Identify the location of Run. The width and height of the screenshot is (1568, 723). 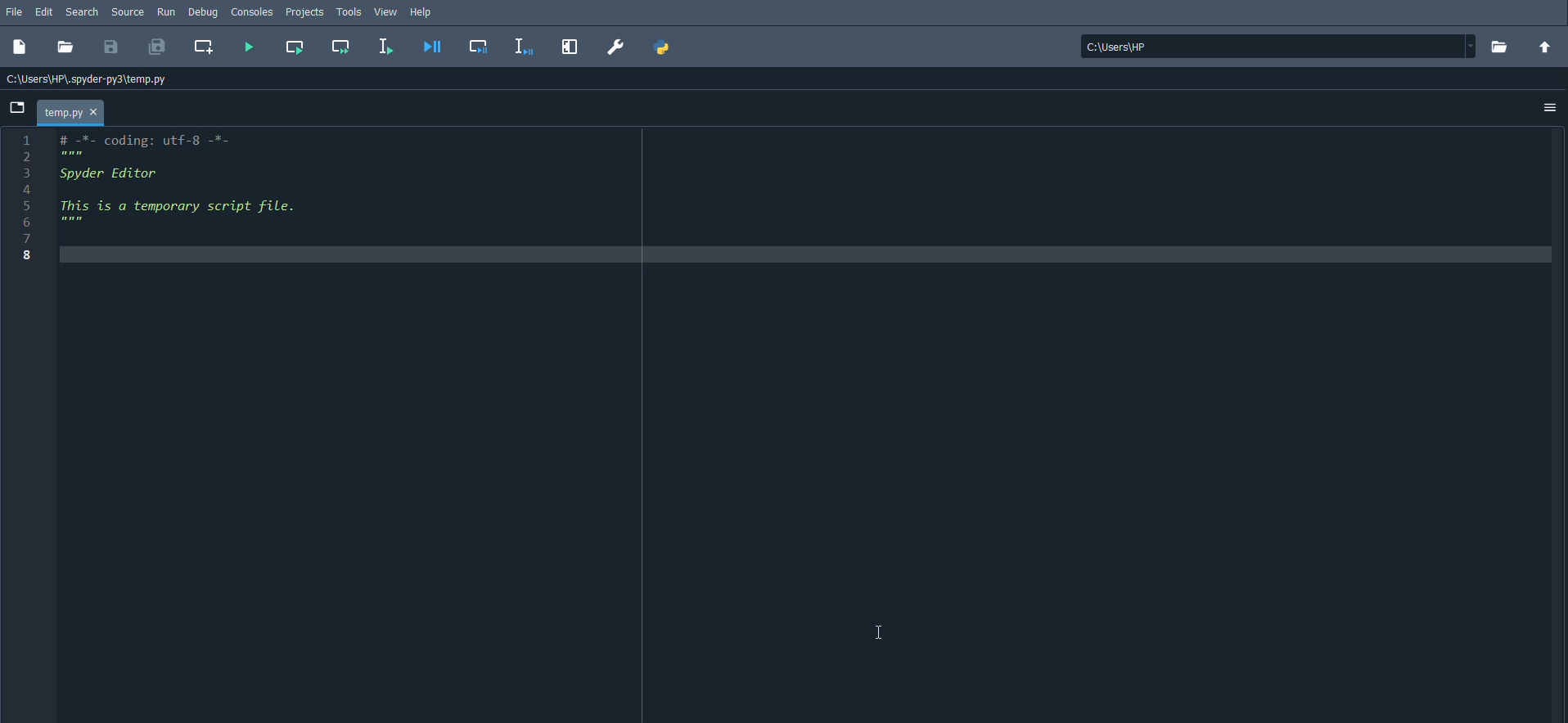
(167, 11).